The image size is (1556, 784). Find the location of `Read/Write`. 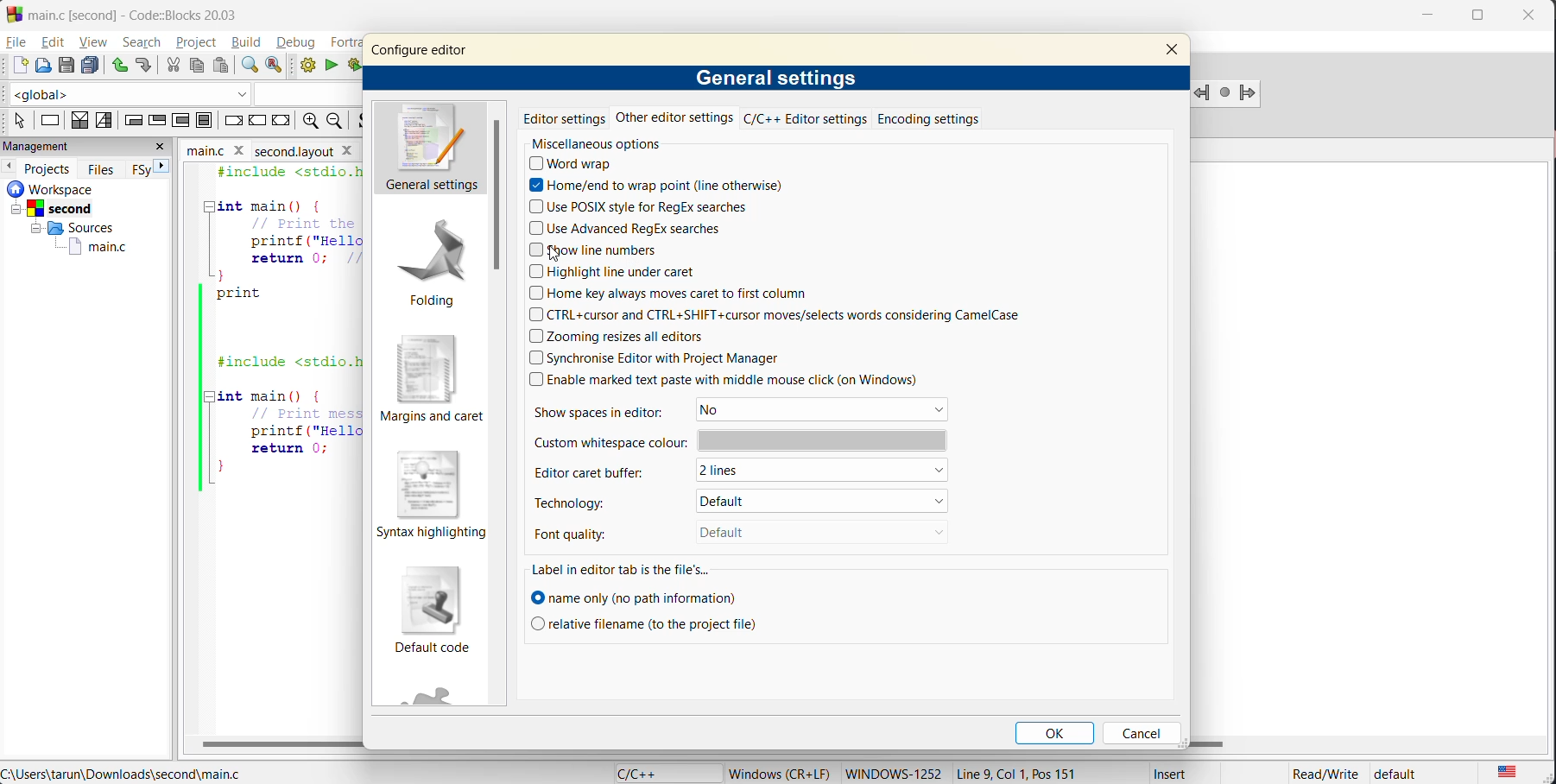

Read/Write is located at coordinates (1325, 773).